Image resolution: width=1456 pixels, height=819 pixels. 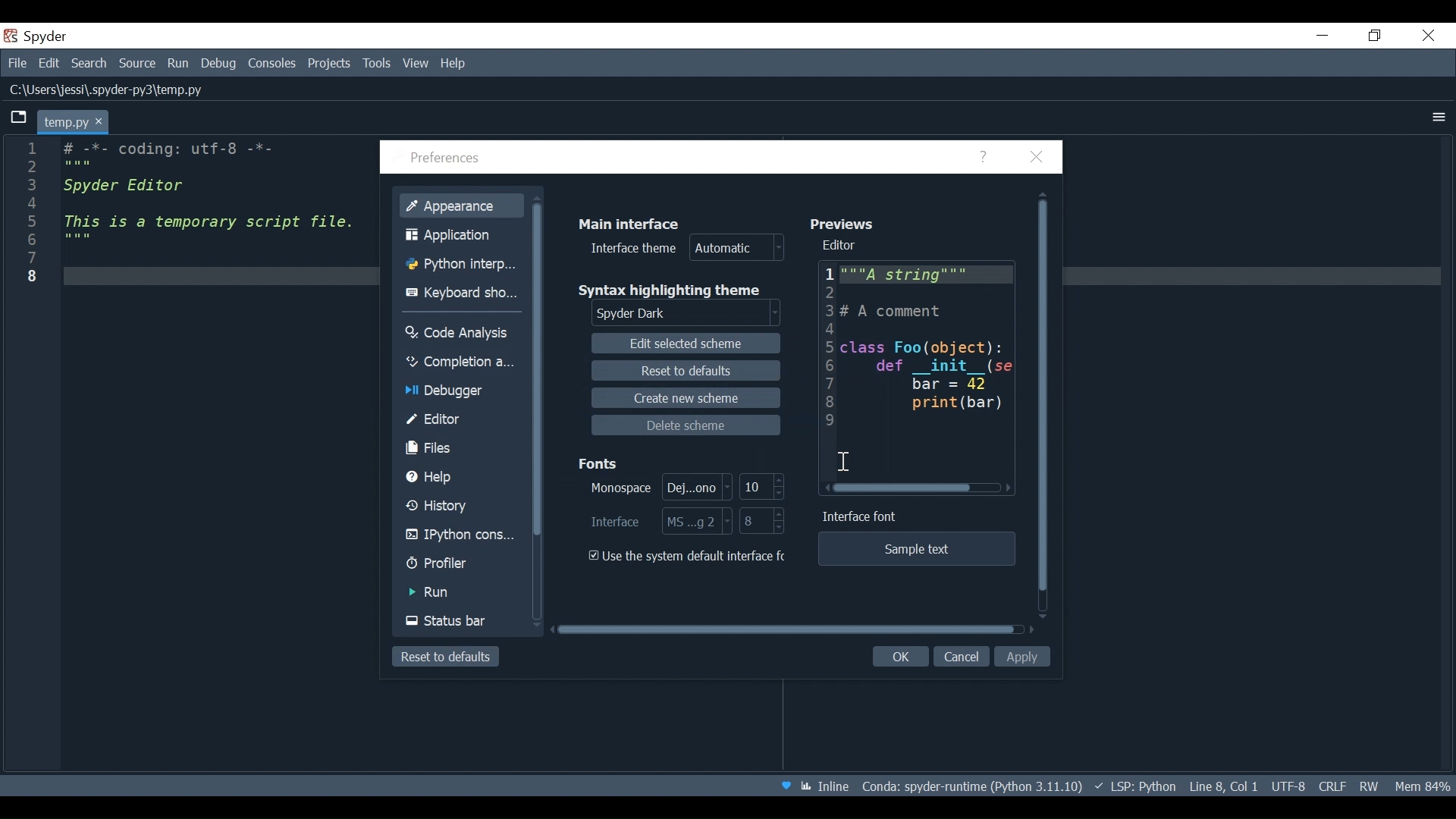 What do you see at coordinates (635, 222) in the screenshot?
I see `Main Interface` at bounding box center [635, 222].